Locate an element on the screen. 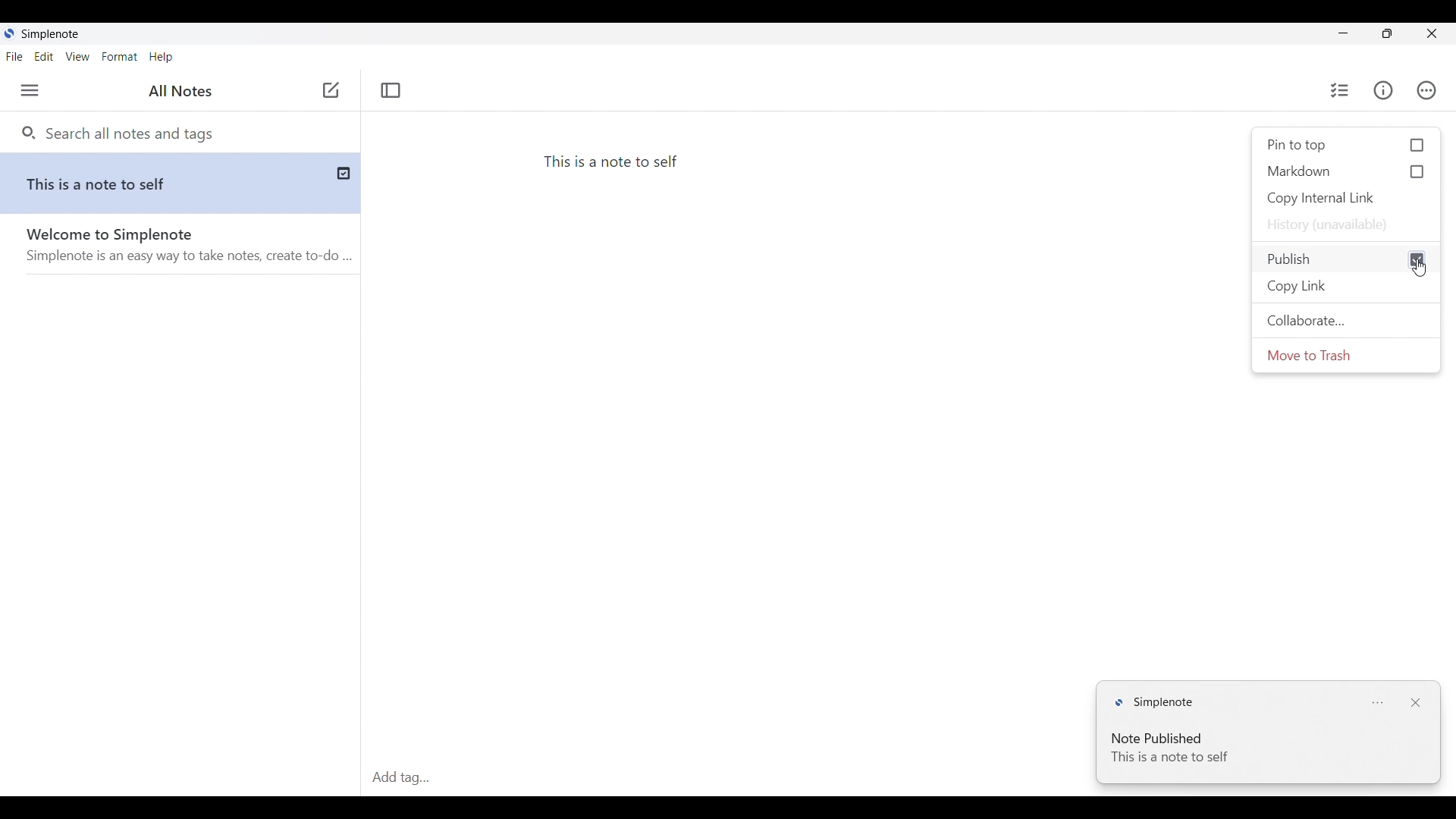  Menu is located at coordinates (30, 90).